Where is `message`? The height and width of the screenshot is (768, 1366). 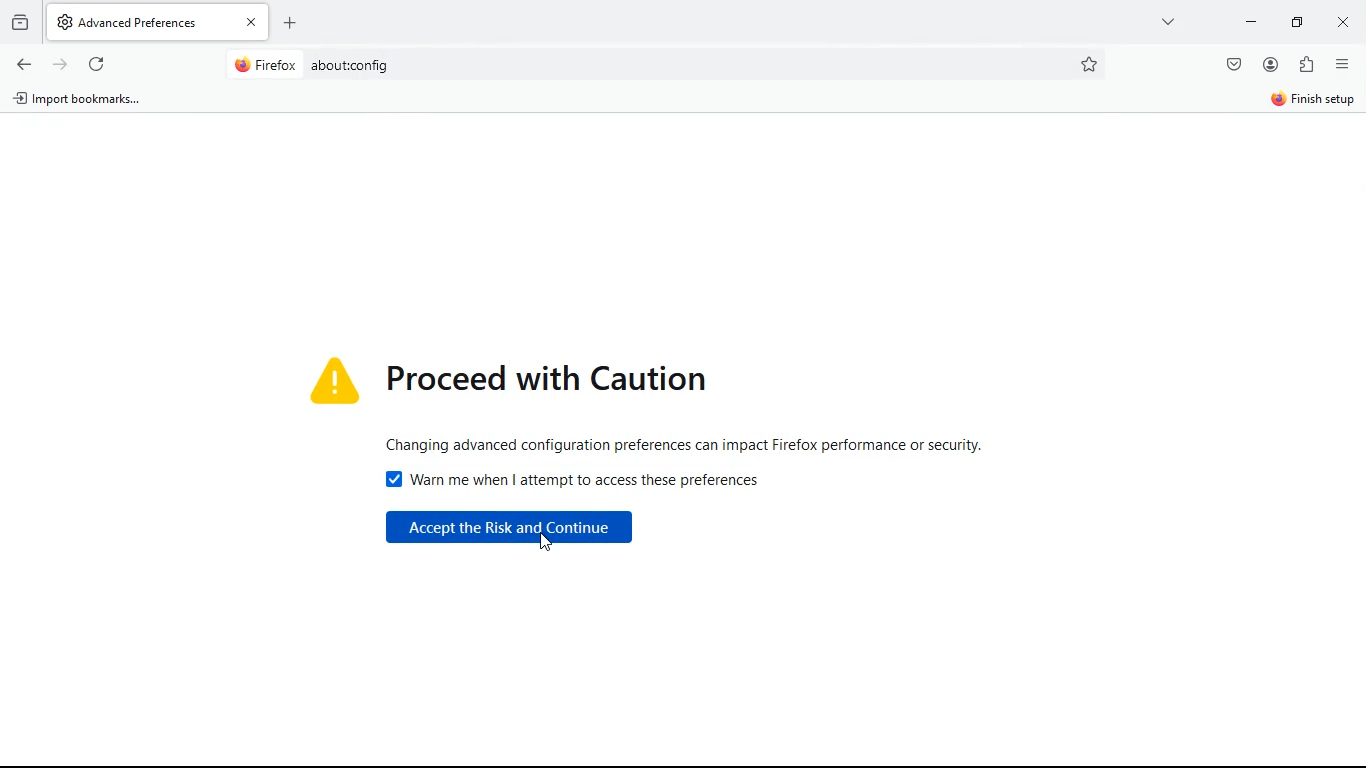 message is located at coordinates (694, 443).